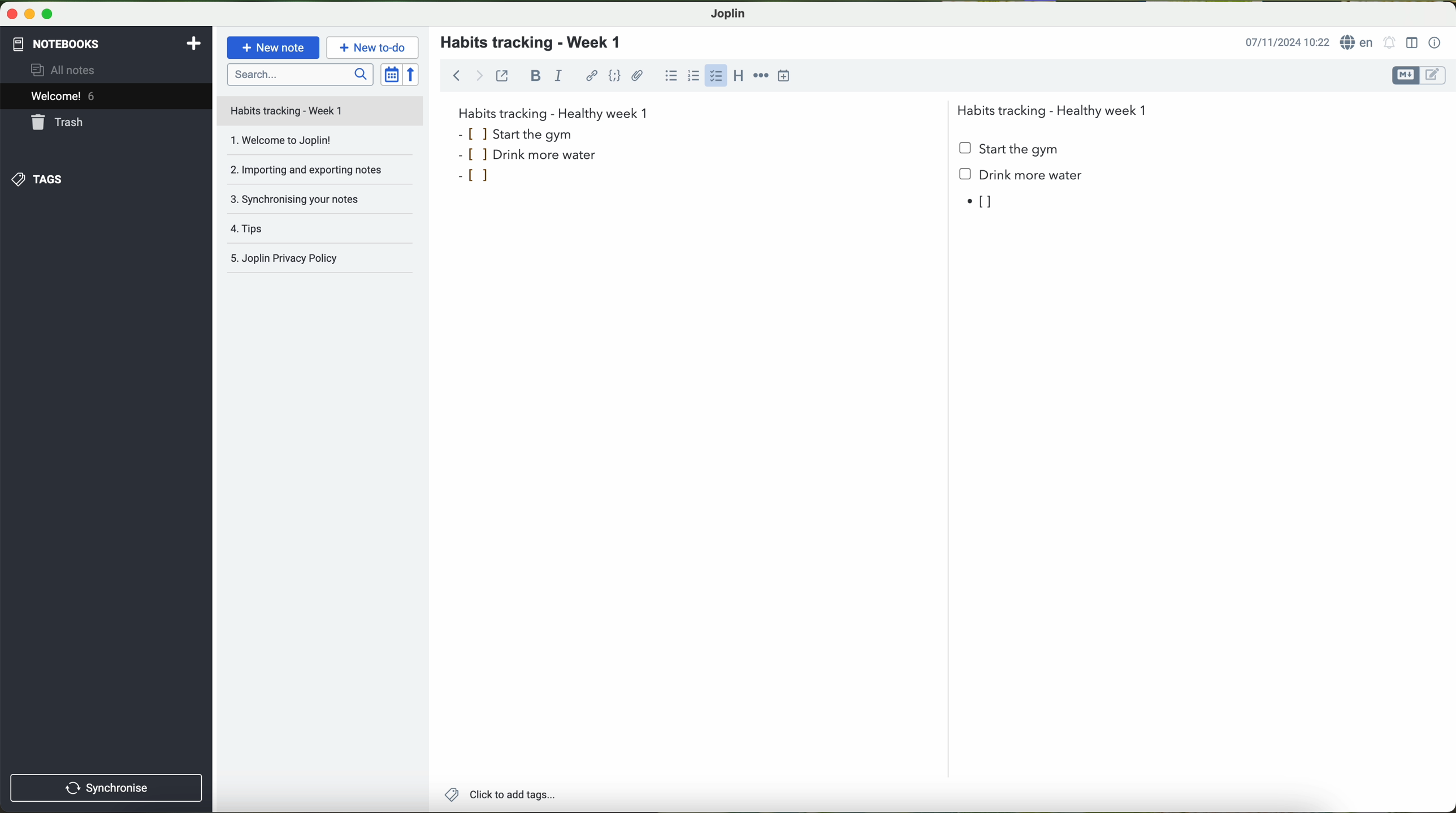 This screenshot has height=813, width=1456. What do you see at coordinates (536, 76) in the screenshot?
I see `bold` at bounding box center [536, 76].